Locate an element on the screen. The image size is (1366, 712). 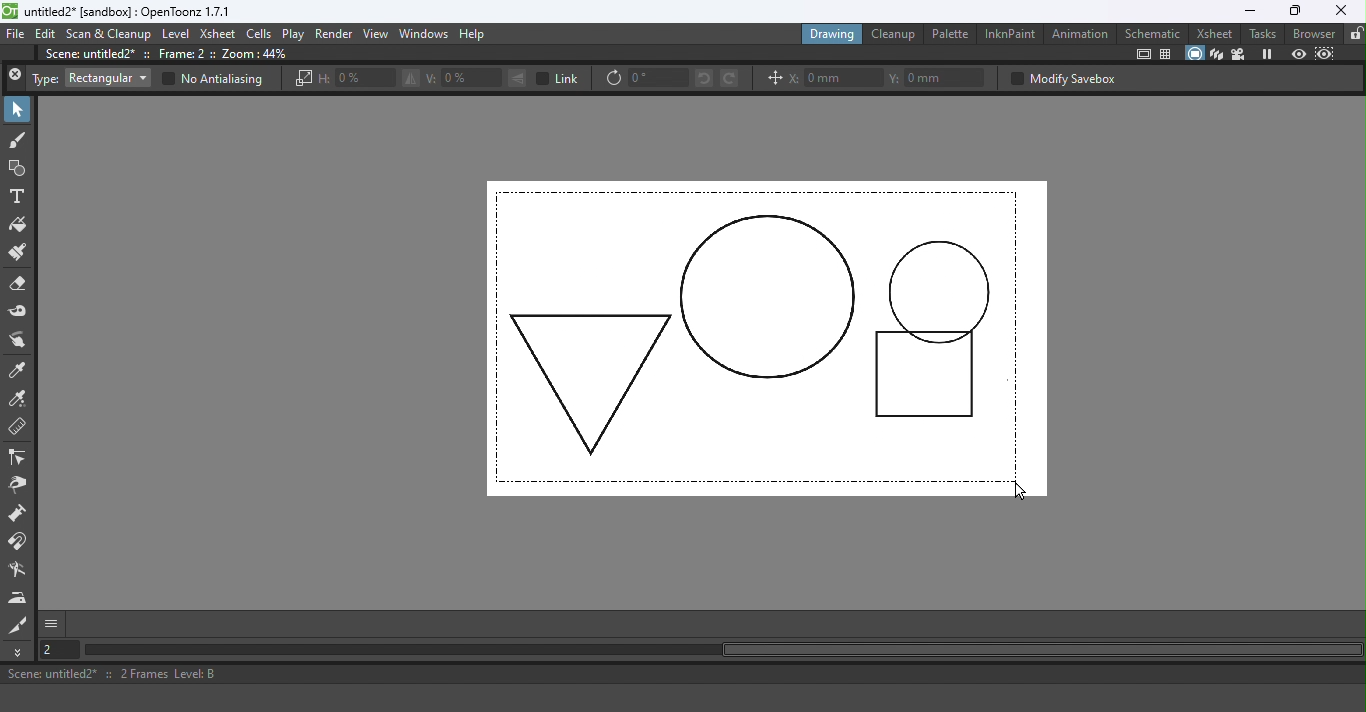
Geometric tool is located at coordinates (18, 168).